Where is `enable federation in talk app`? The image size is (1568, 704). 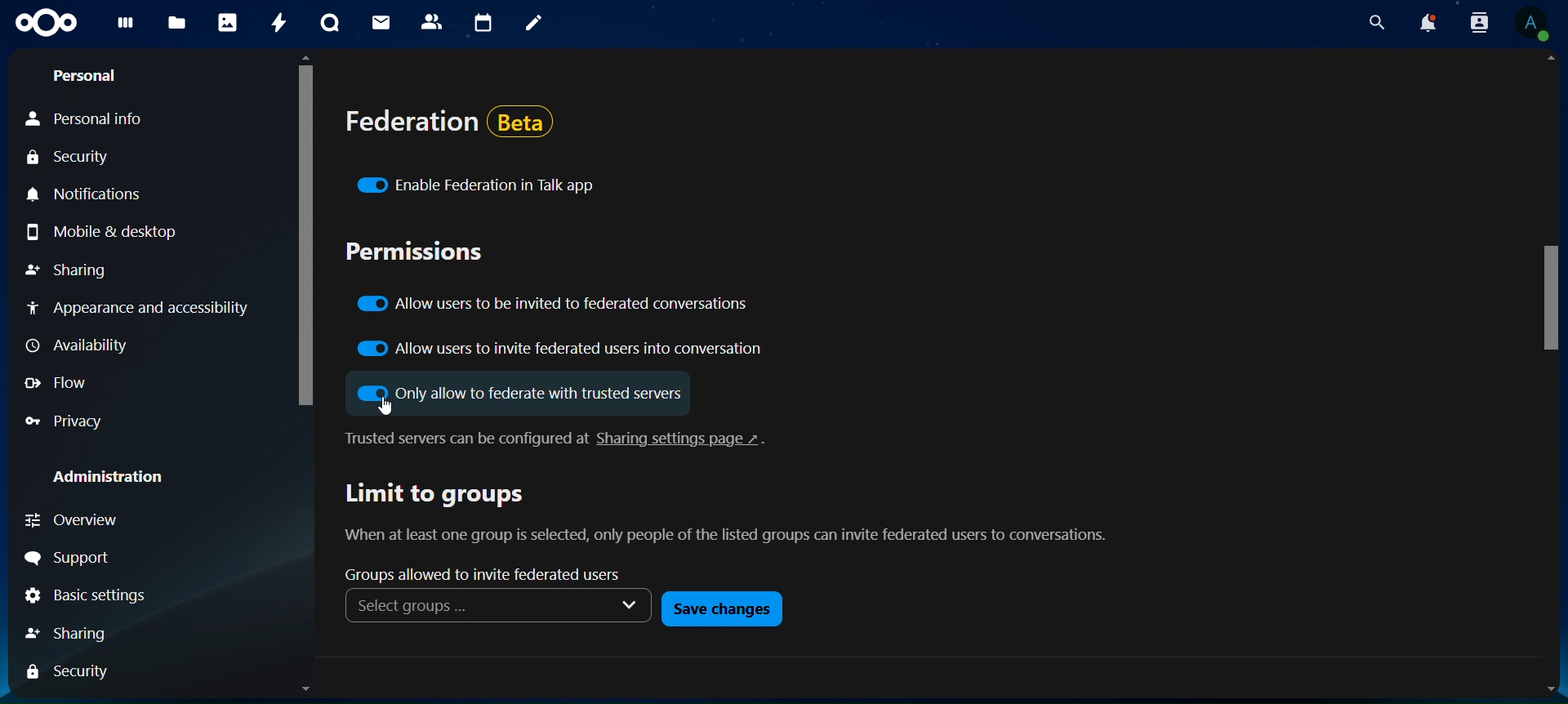 enable federation in talk app is located at coordinates (479, 186).